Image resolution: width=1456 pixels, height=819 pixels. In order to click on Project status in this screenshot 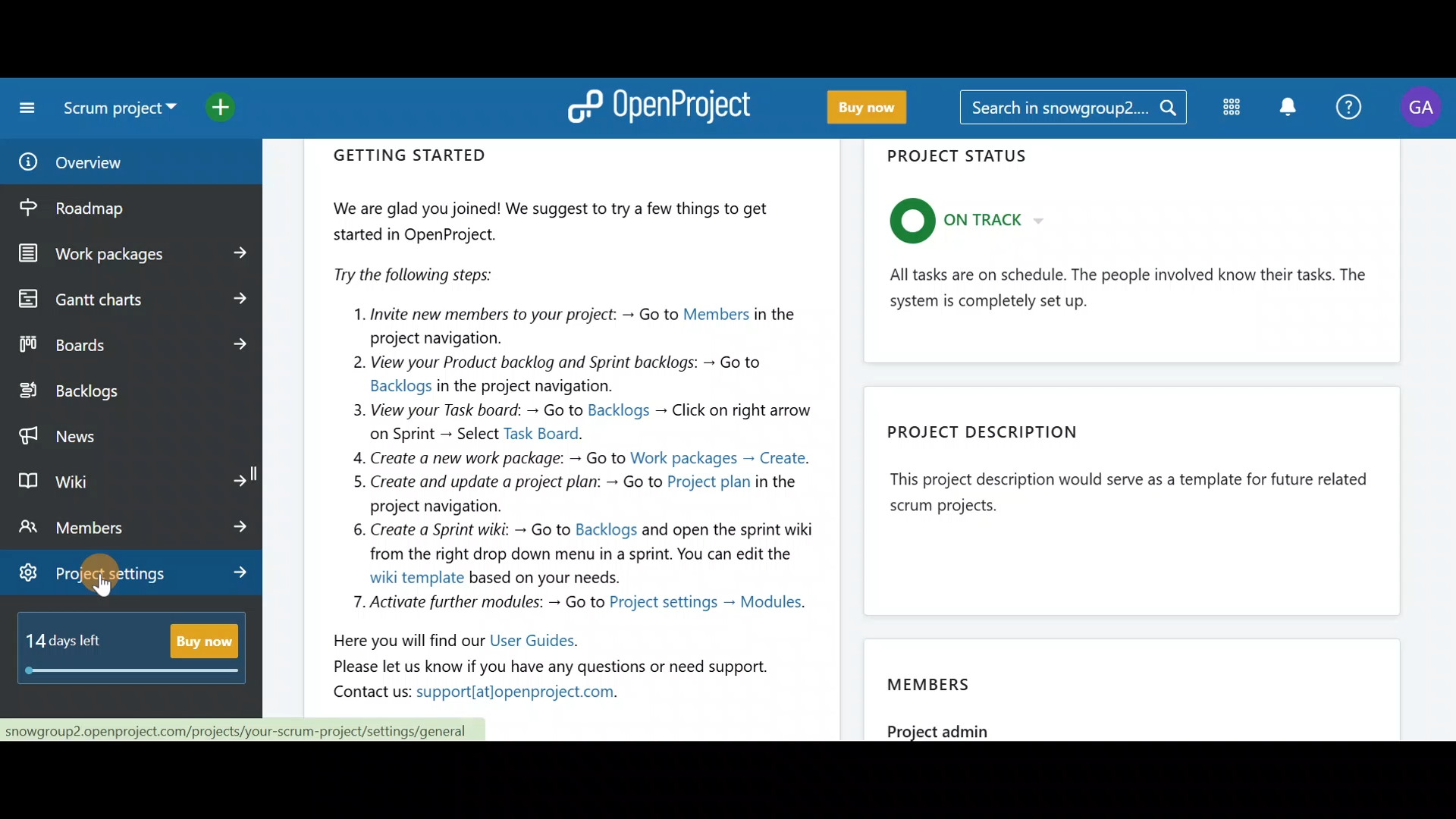, I will do `click(1134, 256)`.